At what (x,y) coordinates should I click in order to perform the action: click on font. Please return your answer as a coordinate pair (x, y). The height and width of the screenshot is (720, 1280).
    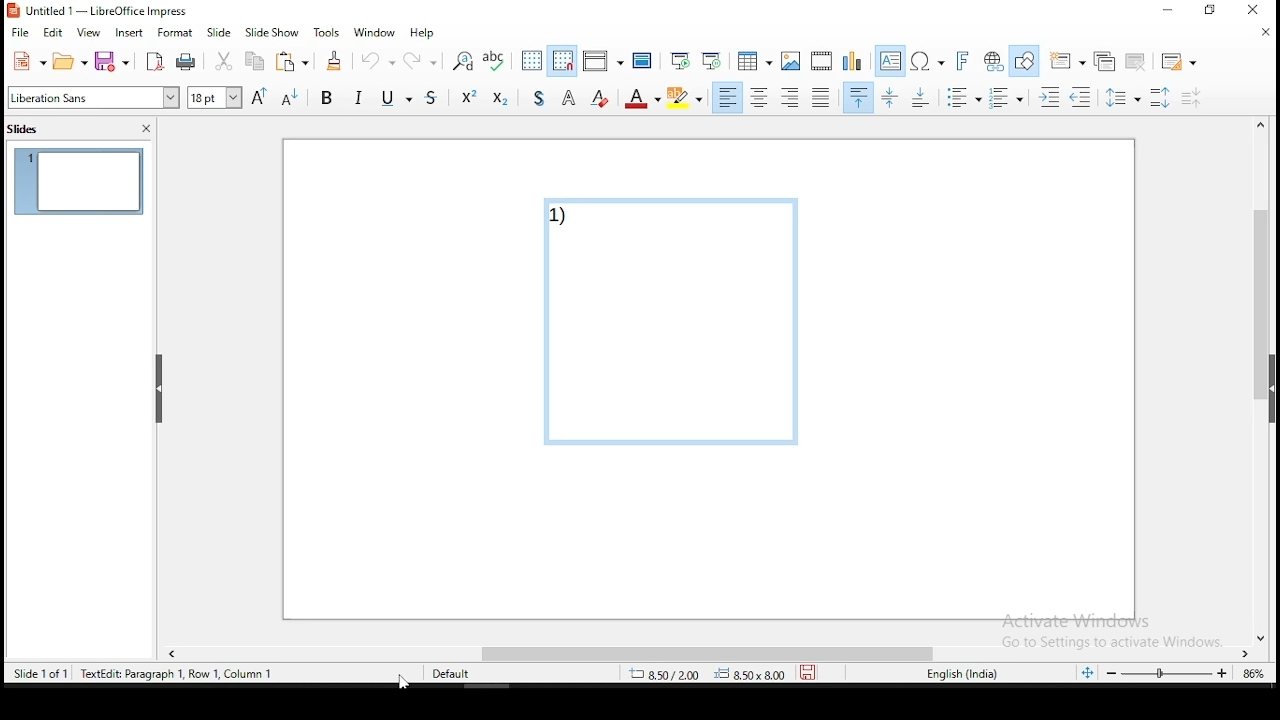
    Looking at the image, I should click on (92, 99).